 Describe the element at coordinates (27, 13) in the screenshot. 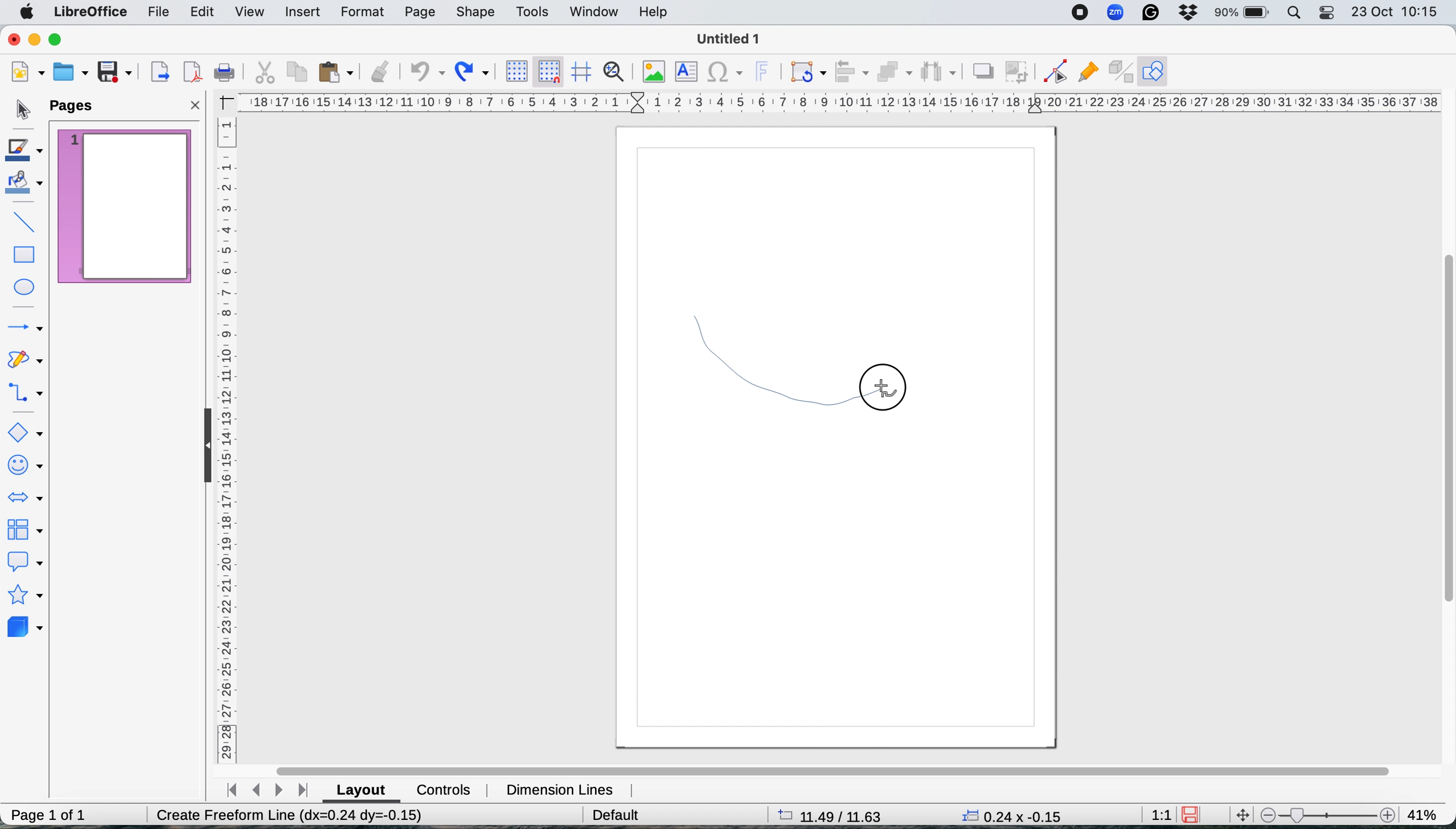

I see `system logo` at that location.